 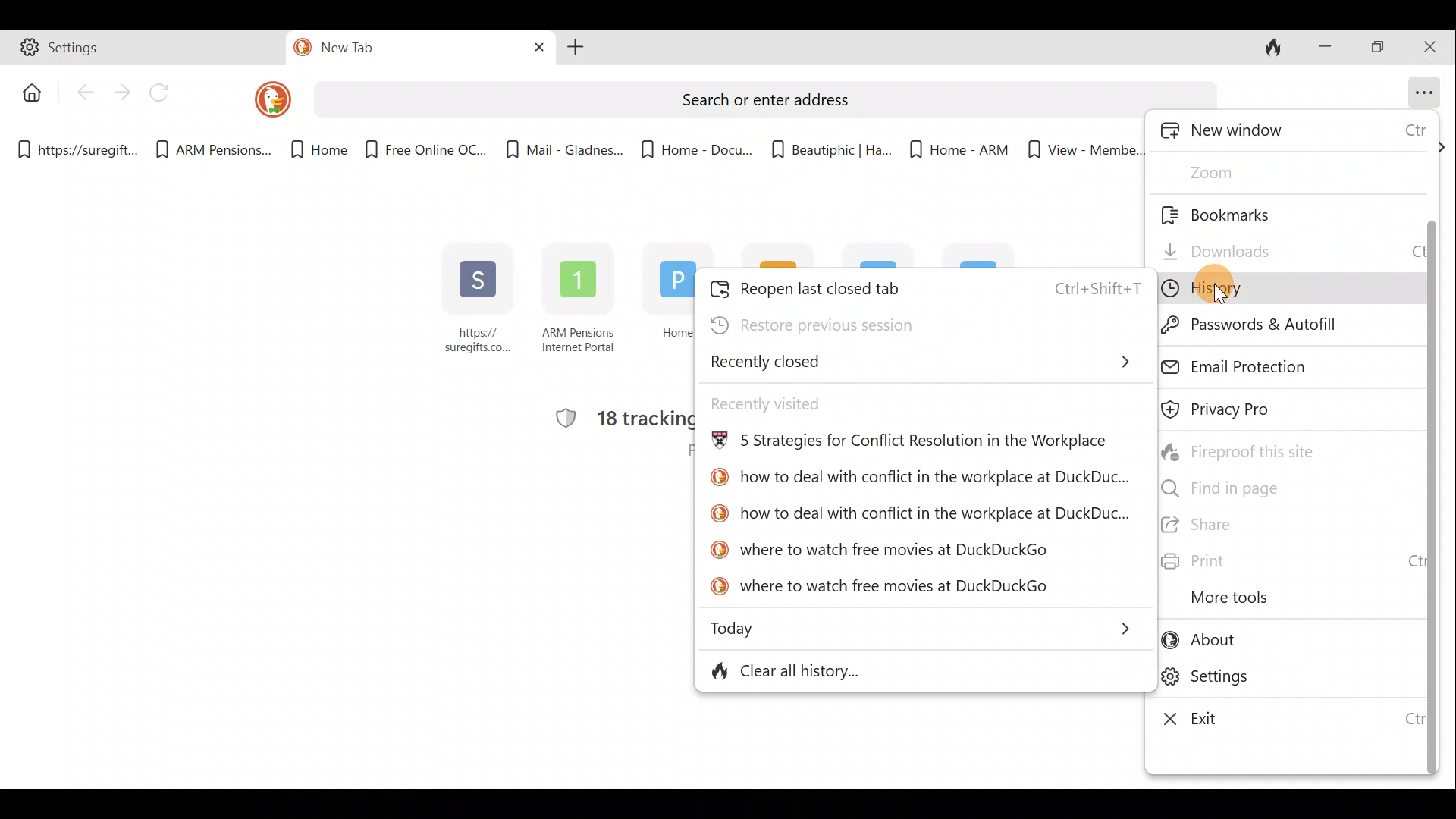 What do you see at coordinates (1268, 288) in the screenshot?
I see `History` at bounding box center [1268, 288].